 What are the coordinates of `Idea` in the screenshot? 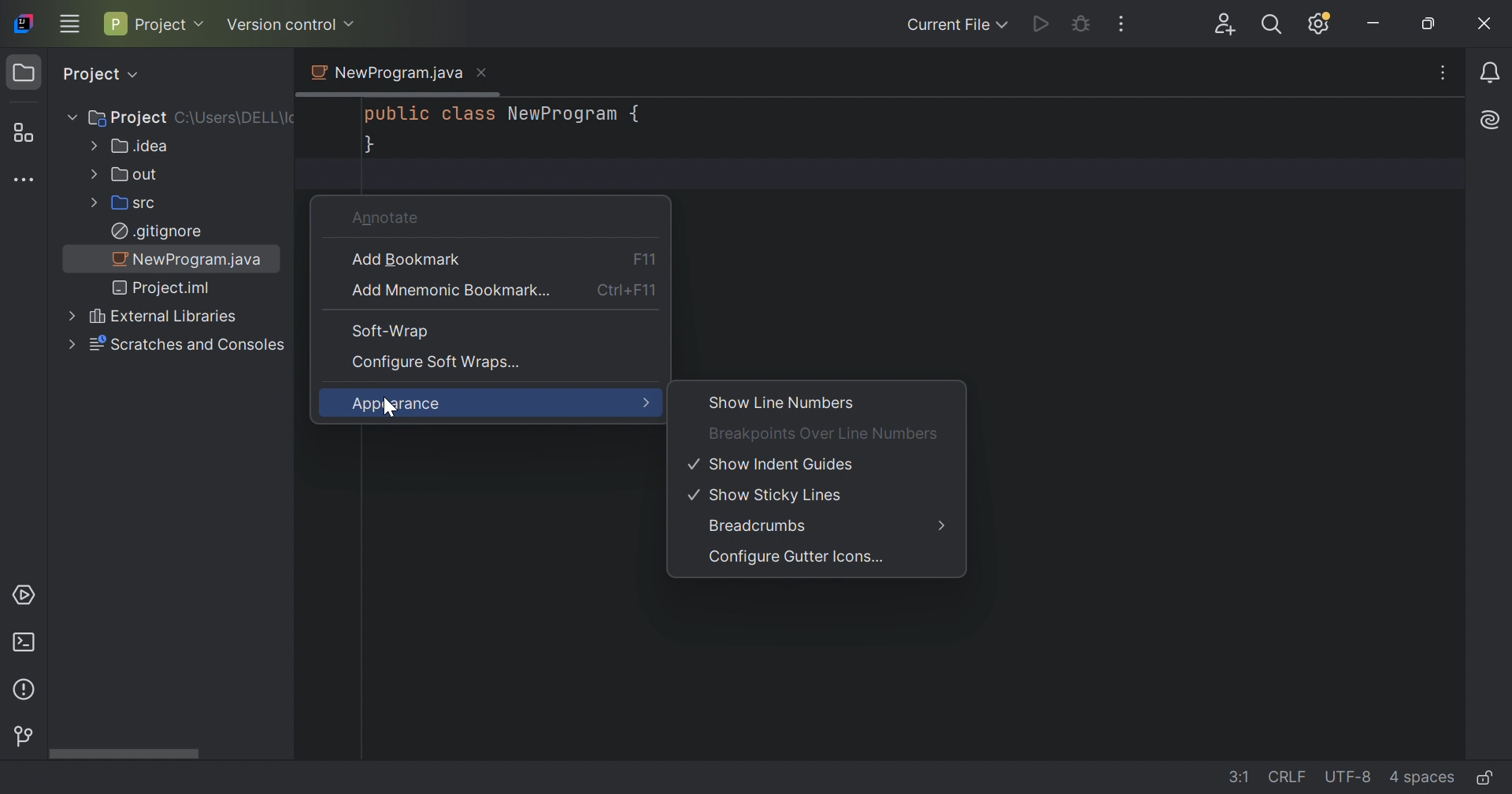 It's located at (140, 146).